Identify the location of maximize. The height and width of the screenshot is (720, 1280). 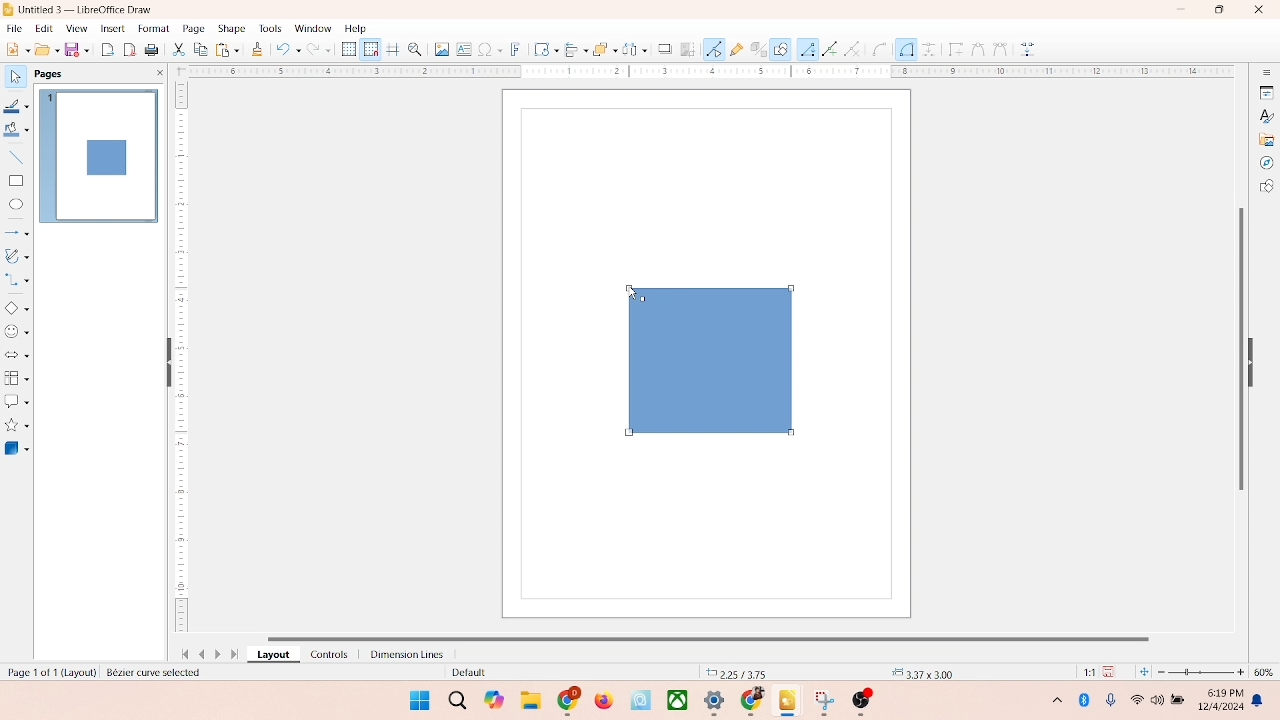
(1219, 10).